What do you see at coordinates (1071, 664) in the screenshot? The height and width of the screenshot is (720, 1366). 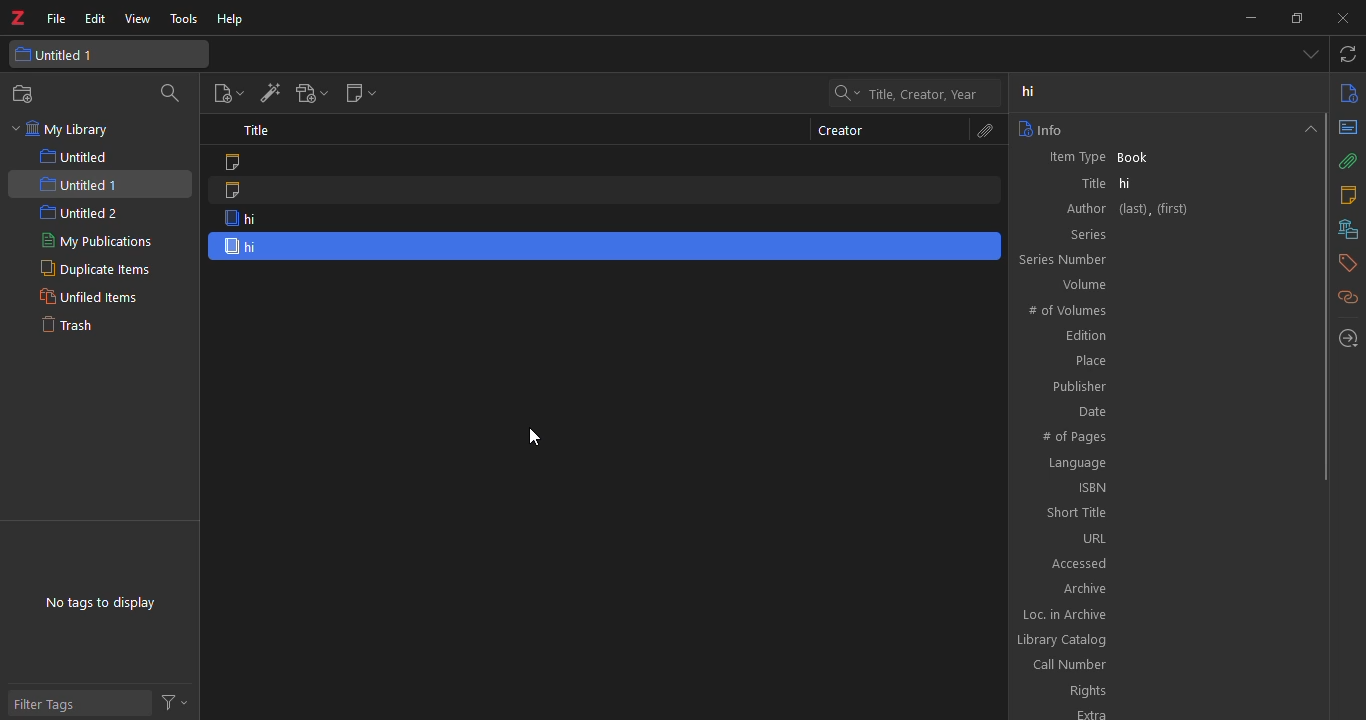 I see `call number` at bounding box center [1071, 664].